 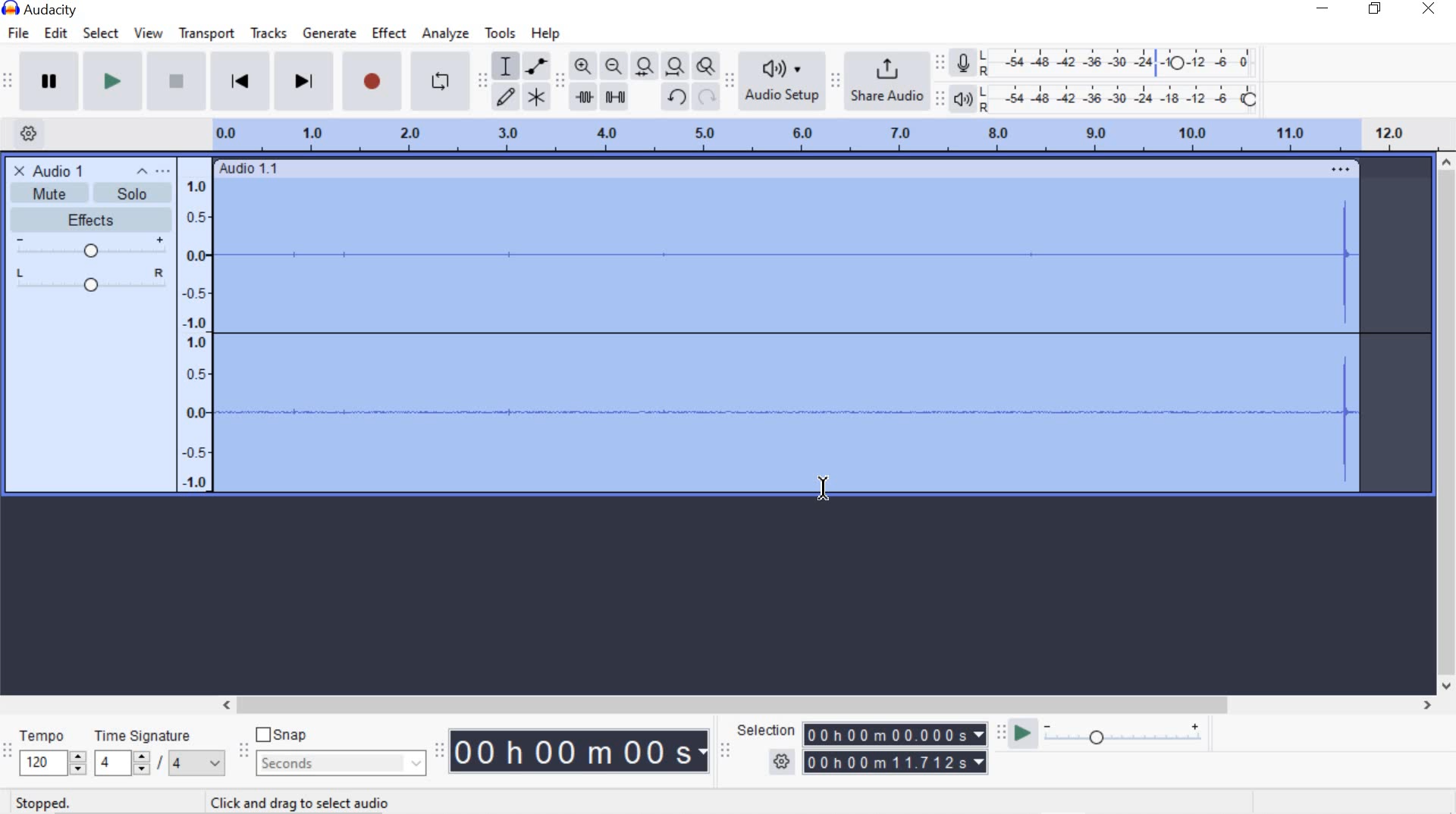 I want to click on Time, so click(x=581, y=753).